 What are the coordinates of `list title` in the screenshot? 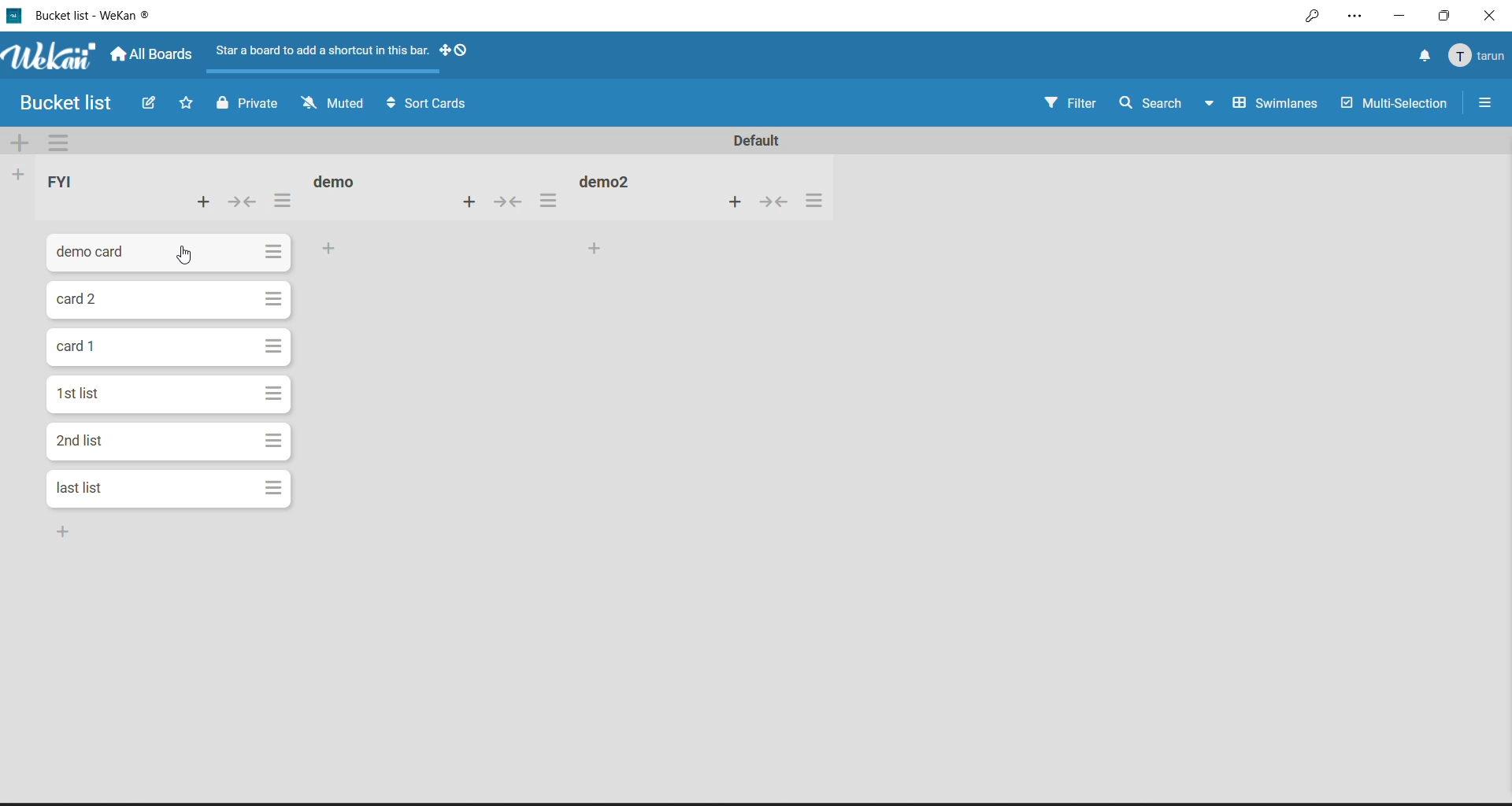 It's located at (339, 180).